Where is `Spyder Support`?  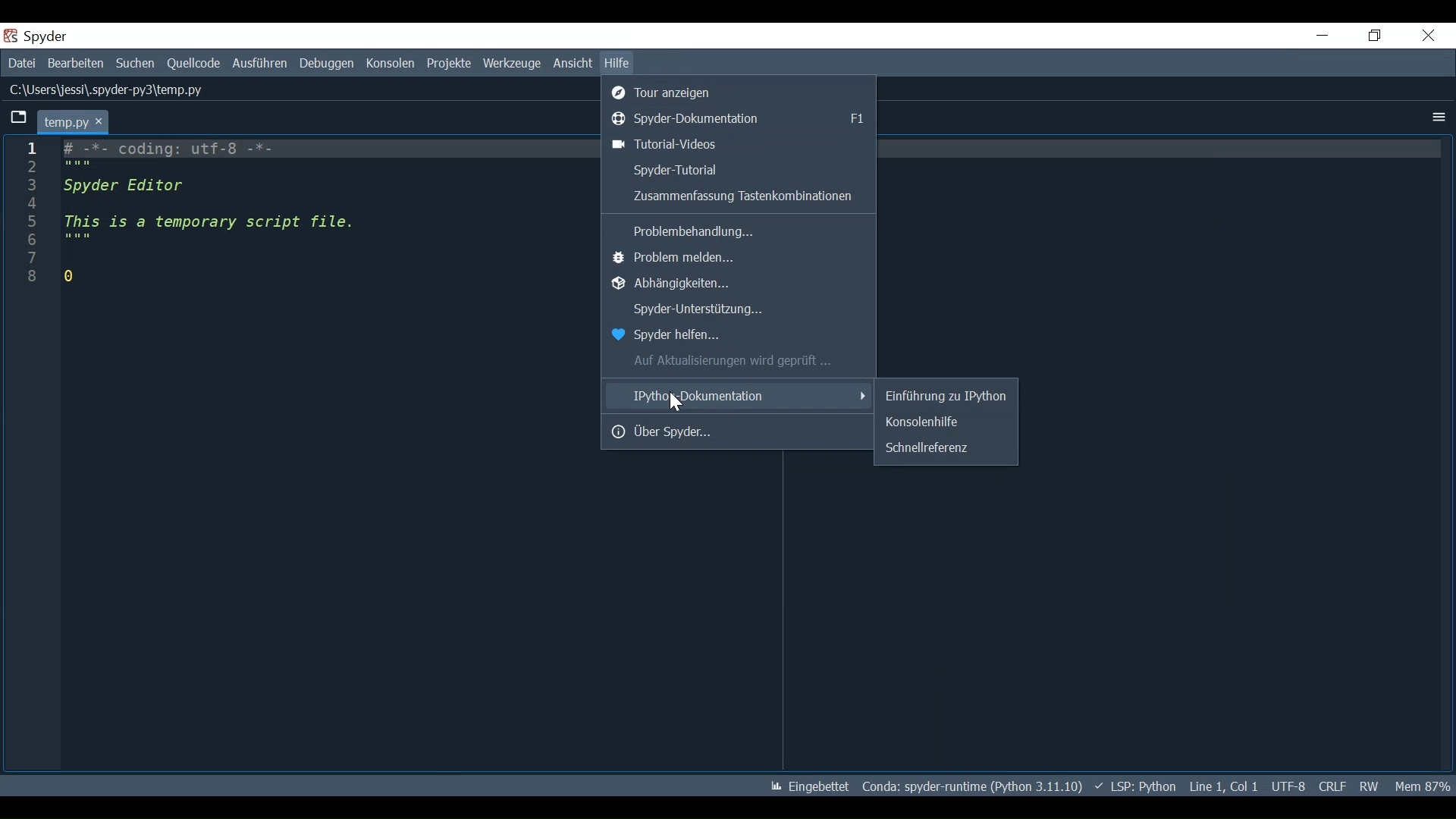 Spyder Support is located at coordinates (739, 311).